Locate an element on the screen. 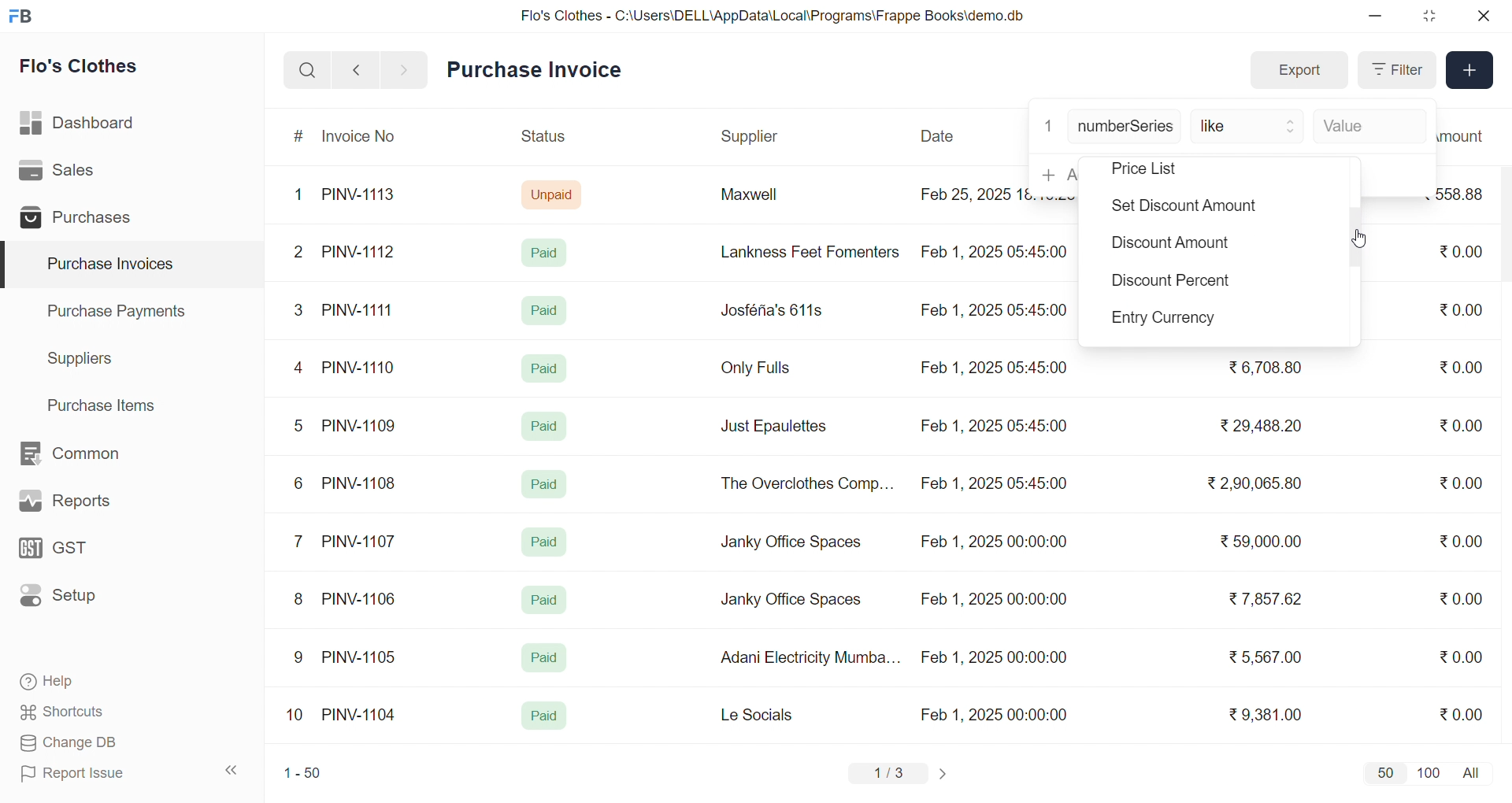 This screenshot has height=803, width=1512. 4 is located at coordinates (302, 368).